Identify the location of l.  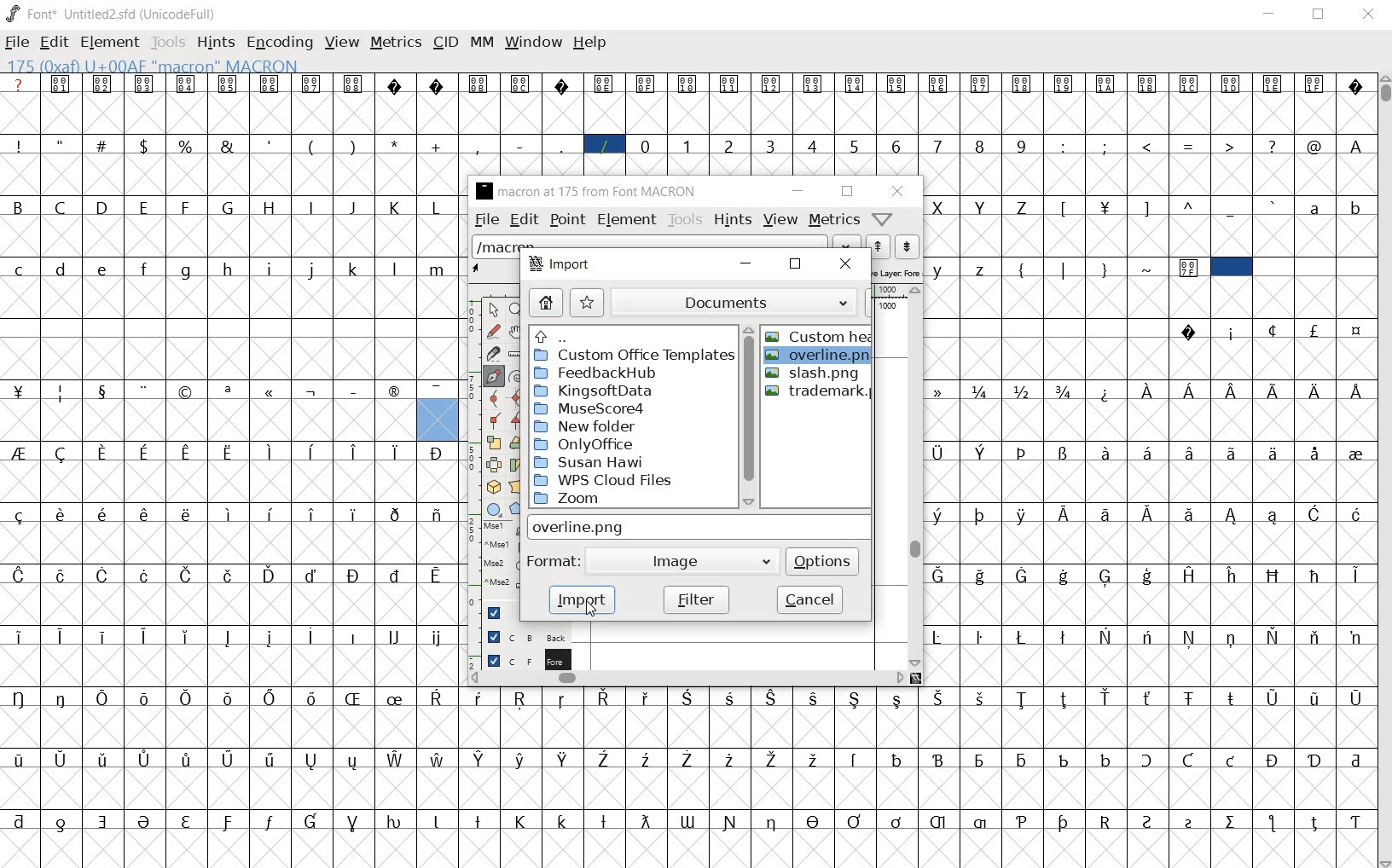
(397, 267).